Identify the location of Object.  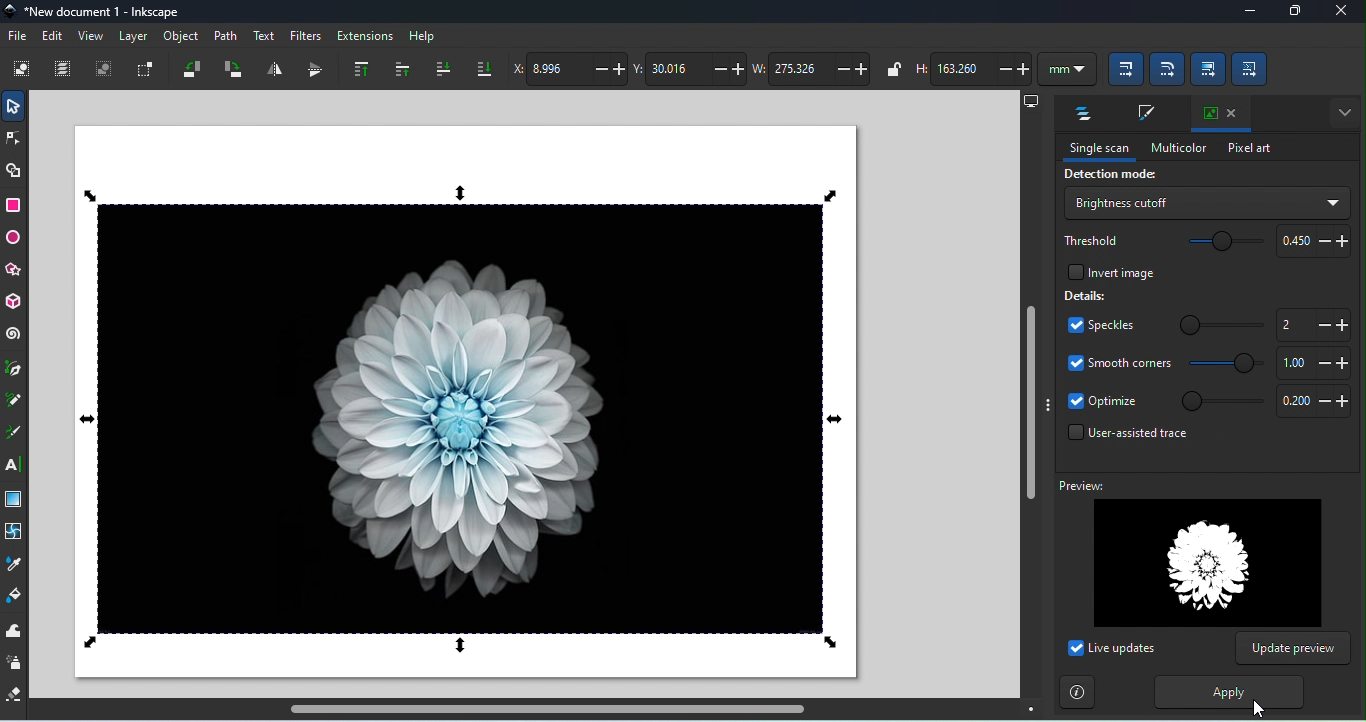
(181, 38).